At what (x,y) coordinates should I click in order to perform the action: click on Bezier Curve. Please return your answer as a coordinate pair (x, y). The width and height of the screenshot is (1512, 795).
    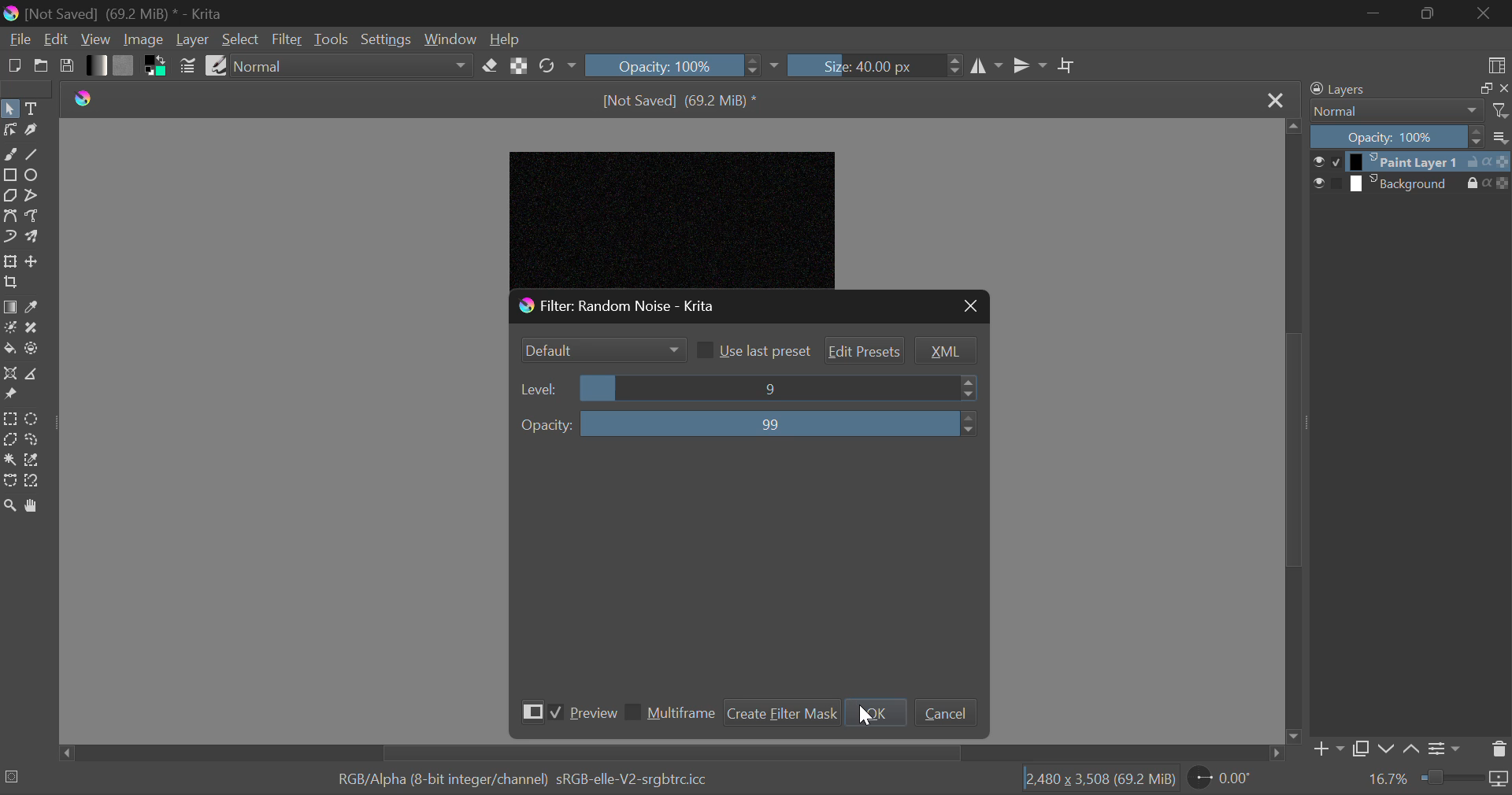
    Looking at the image, I should click on (11, 217).